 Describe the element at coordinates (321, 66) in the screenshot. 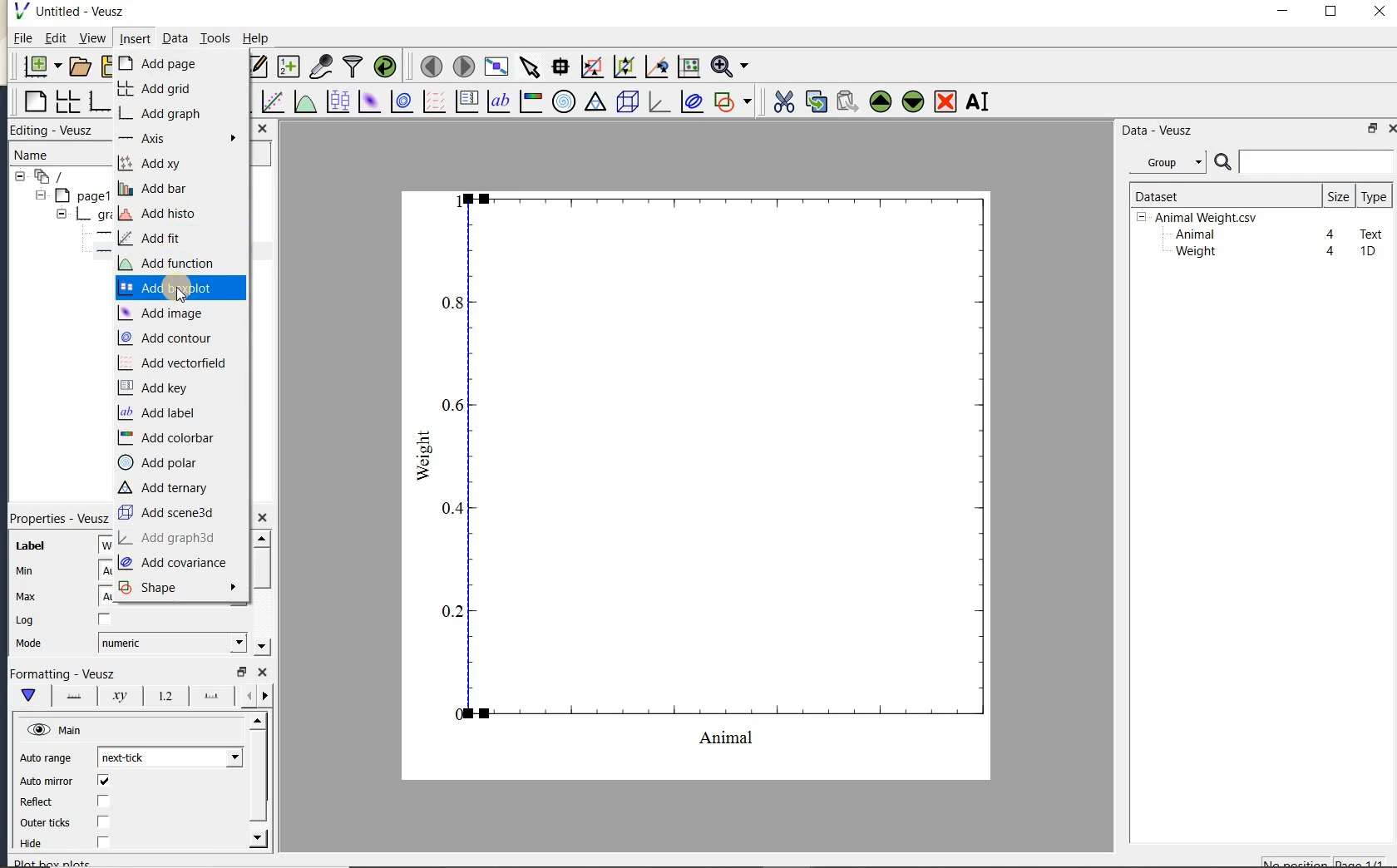

I see `capture remote data` at that location.